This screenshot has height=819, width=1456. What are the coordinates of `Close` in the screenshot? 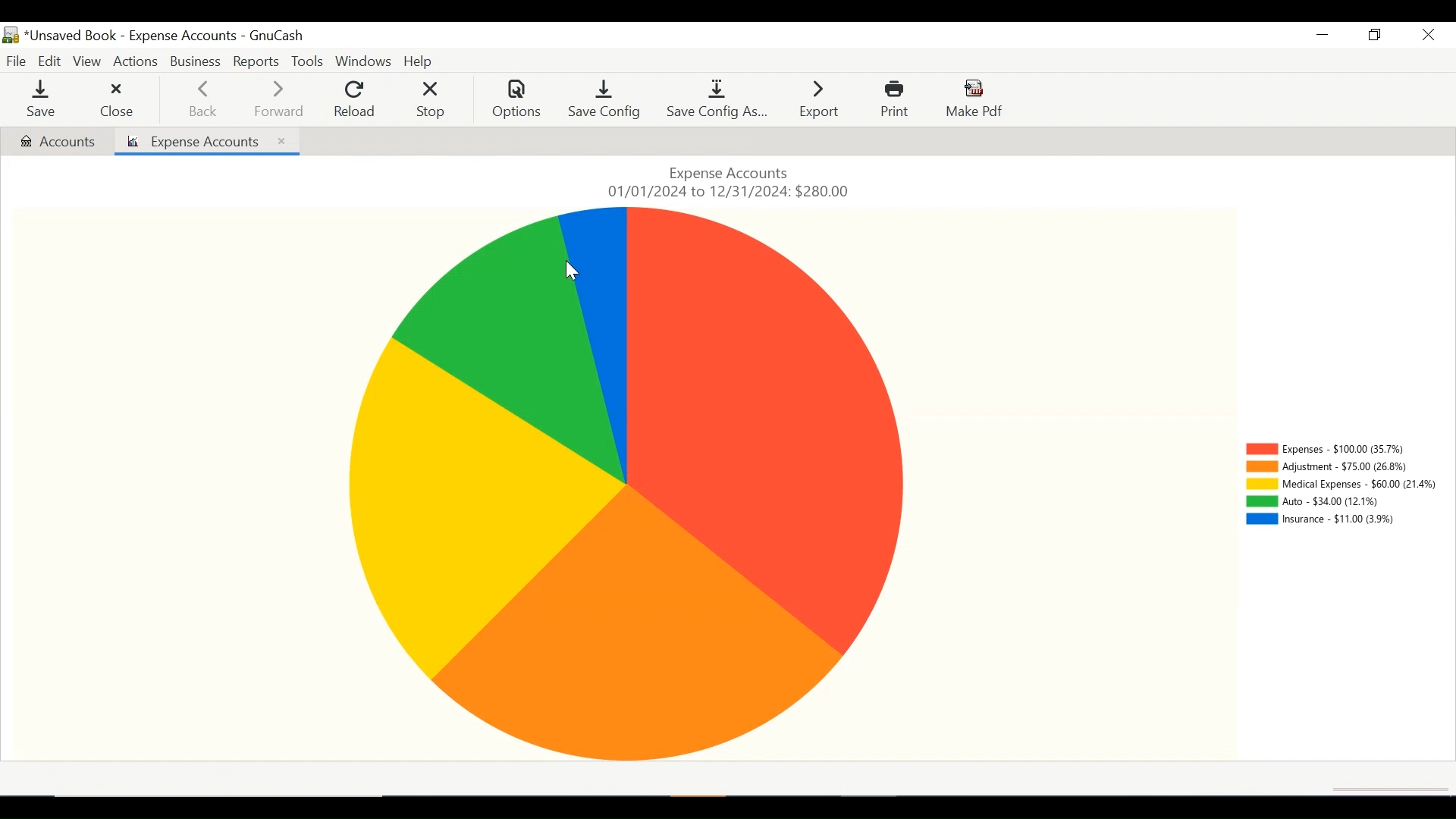 It's located at (1429, 36).